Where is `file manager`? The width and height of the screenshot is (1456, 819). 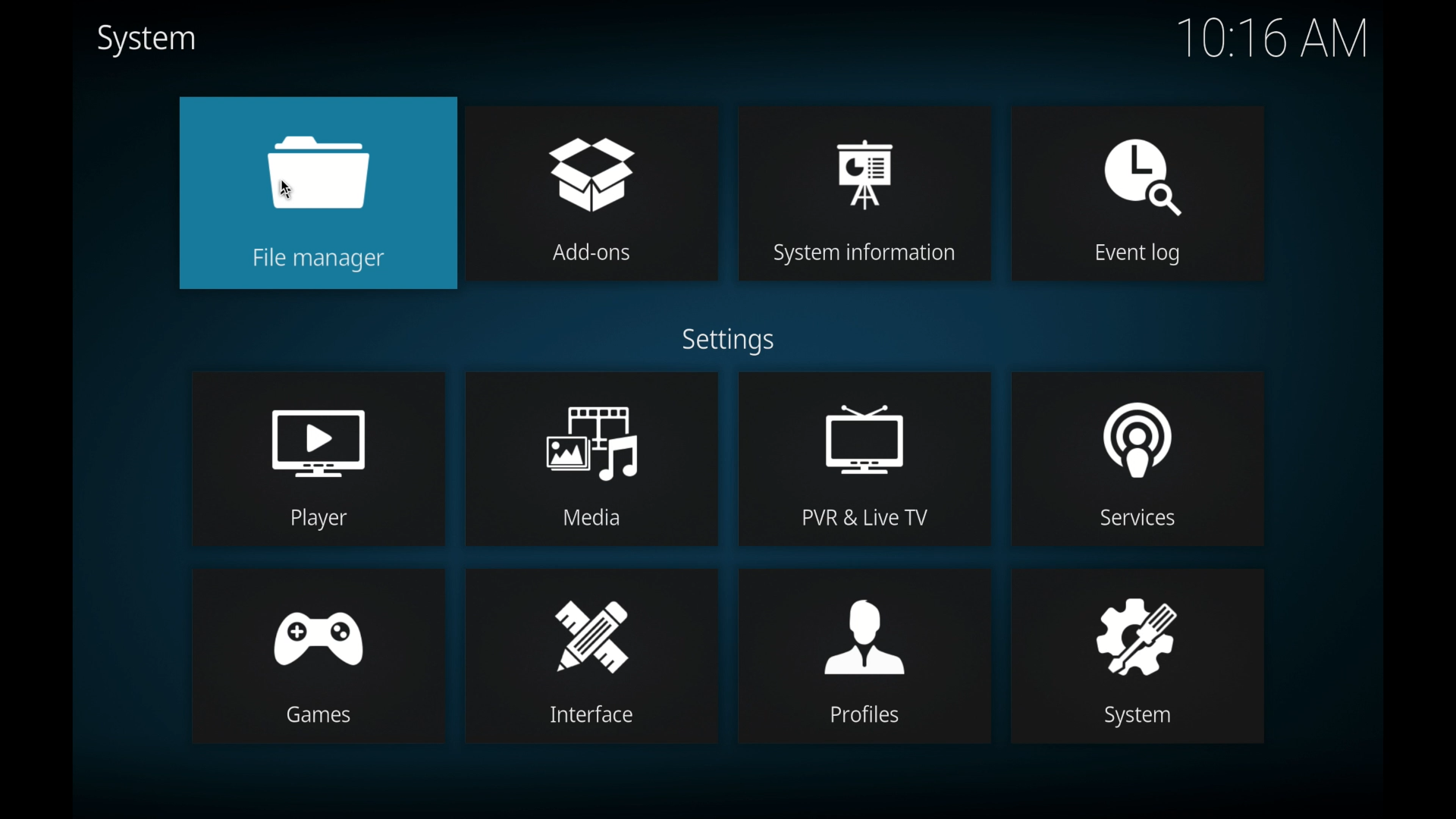 file manager is located at coordinates (318, 193).